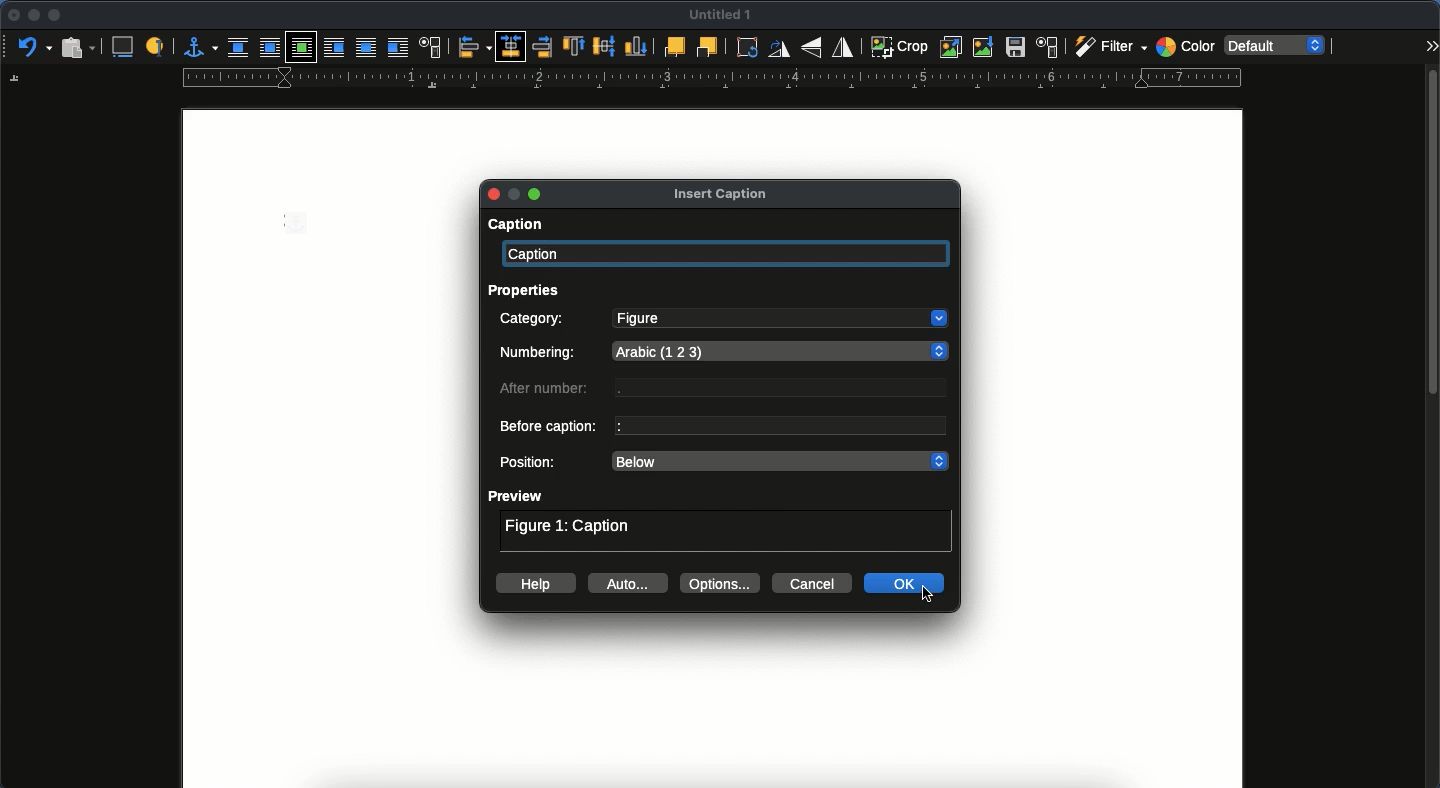 The width and height of the screenshot is (1440, 788). Describe the element at coordinates (337, 48) in the screenshot. I see `before` at that location.